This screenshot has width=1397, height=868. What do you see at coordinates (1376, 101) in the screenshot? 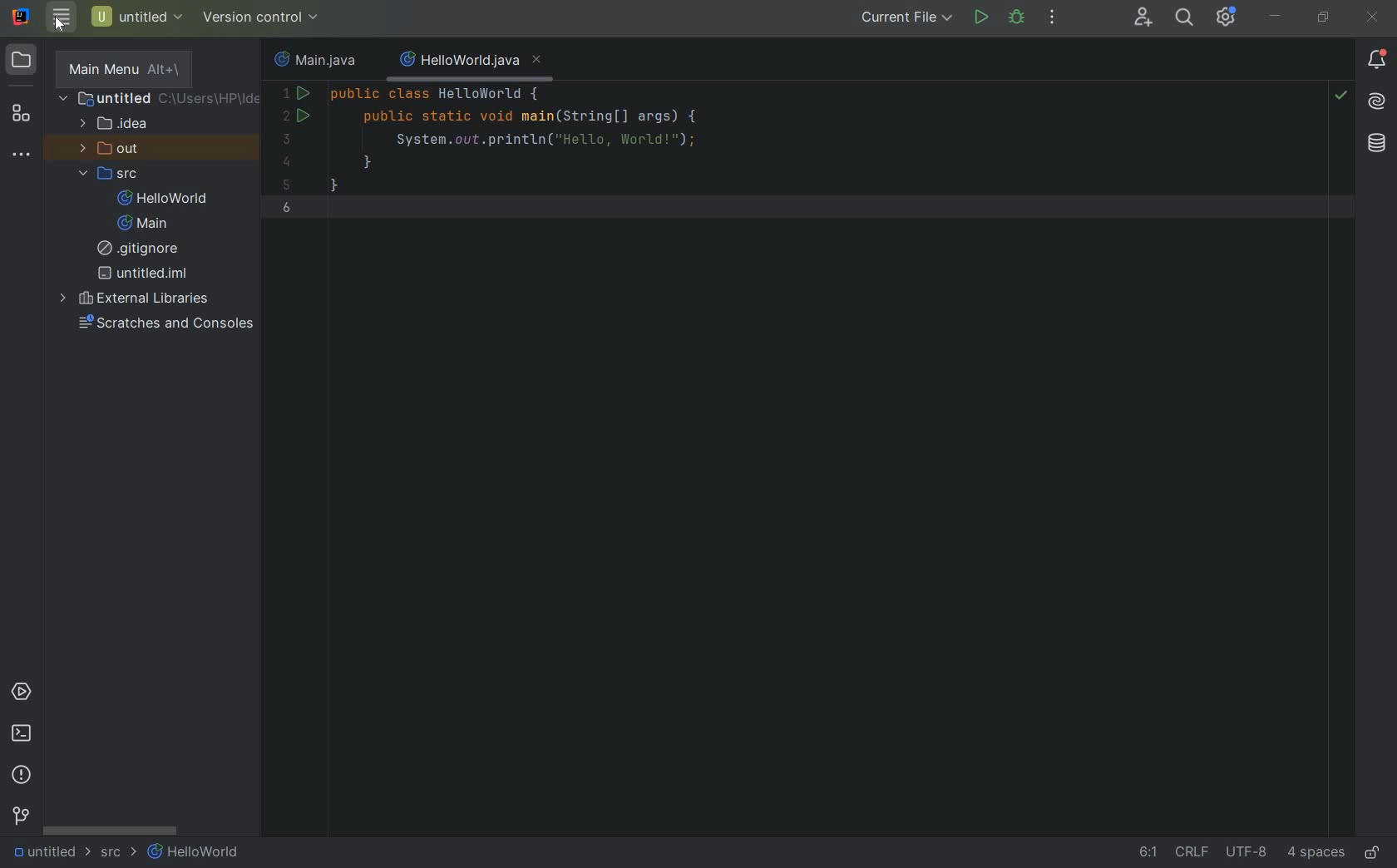
I see `AI Assistant` at bounding box center [1376, 101].